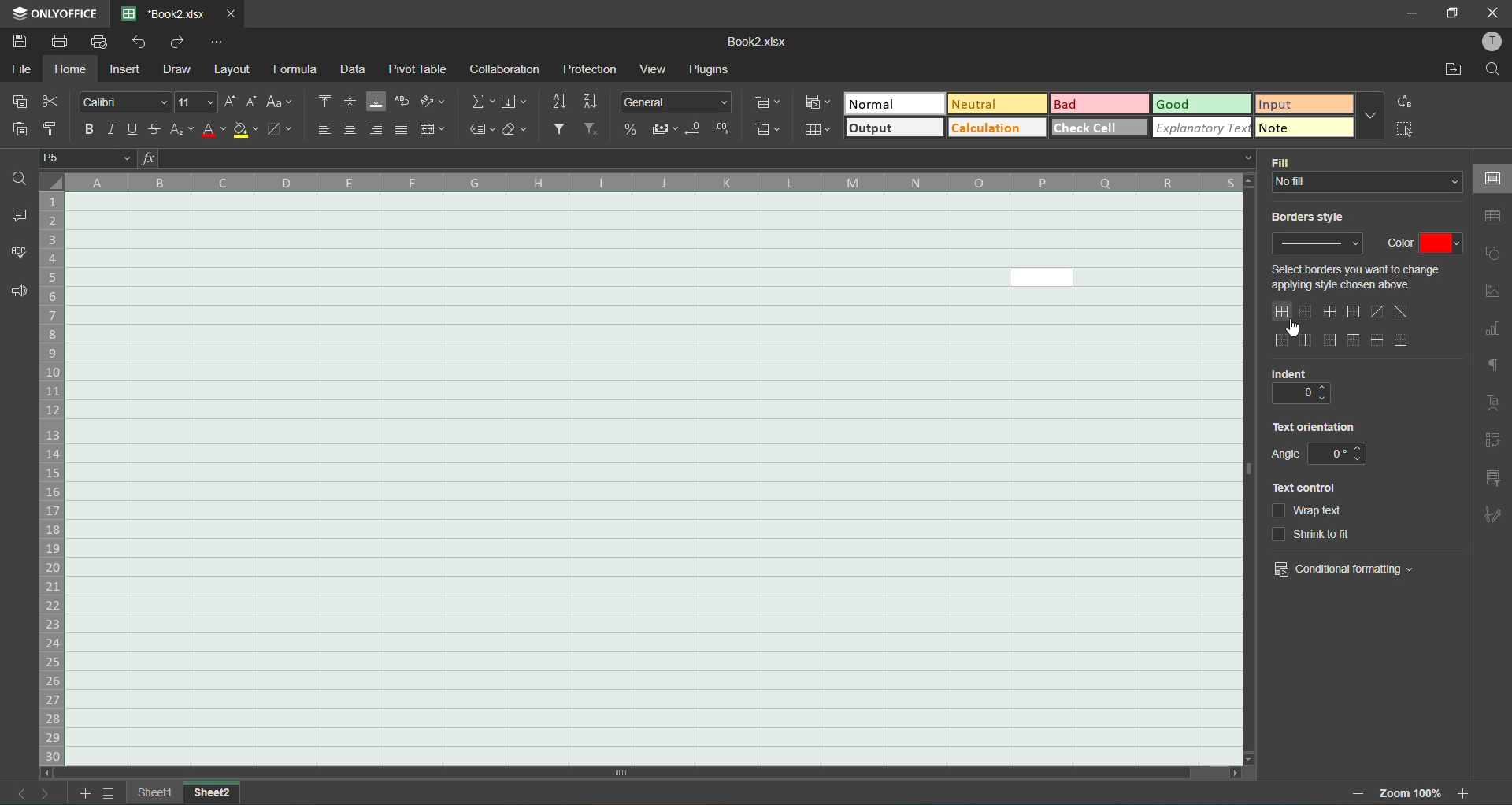 This screenshot has height=805, width=1512. What do you see at coordinates (113, 795) in the screenshot?
I see `sheet list` at bounding box center [113, 795].